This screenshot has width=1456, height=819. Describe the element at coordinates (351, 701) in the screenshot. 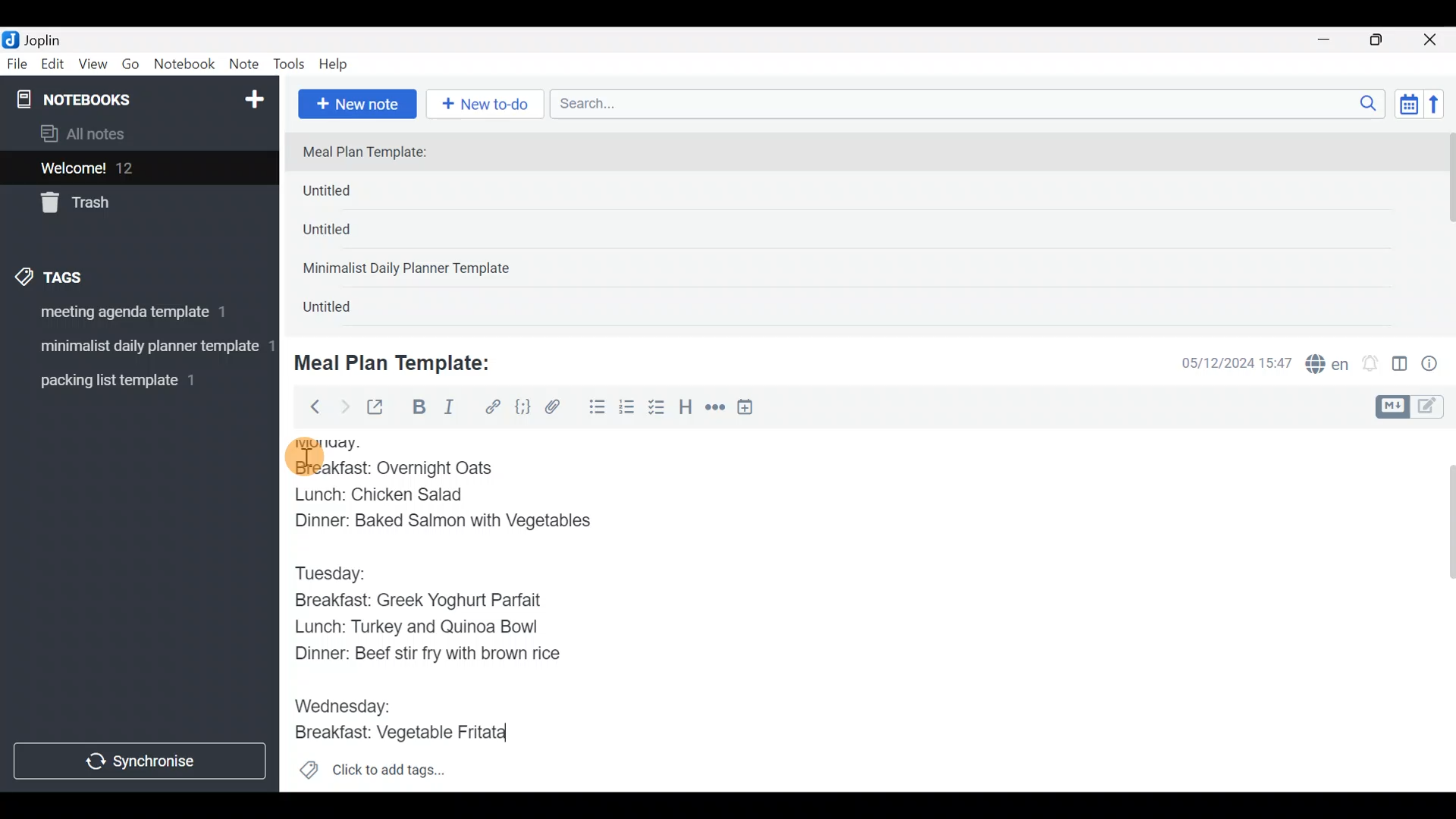

I see `Wednesday:` at that location.